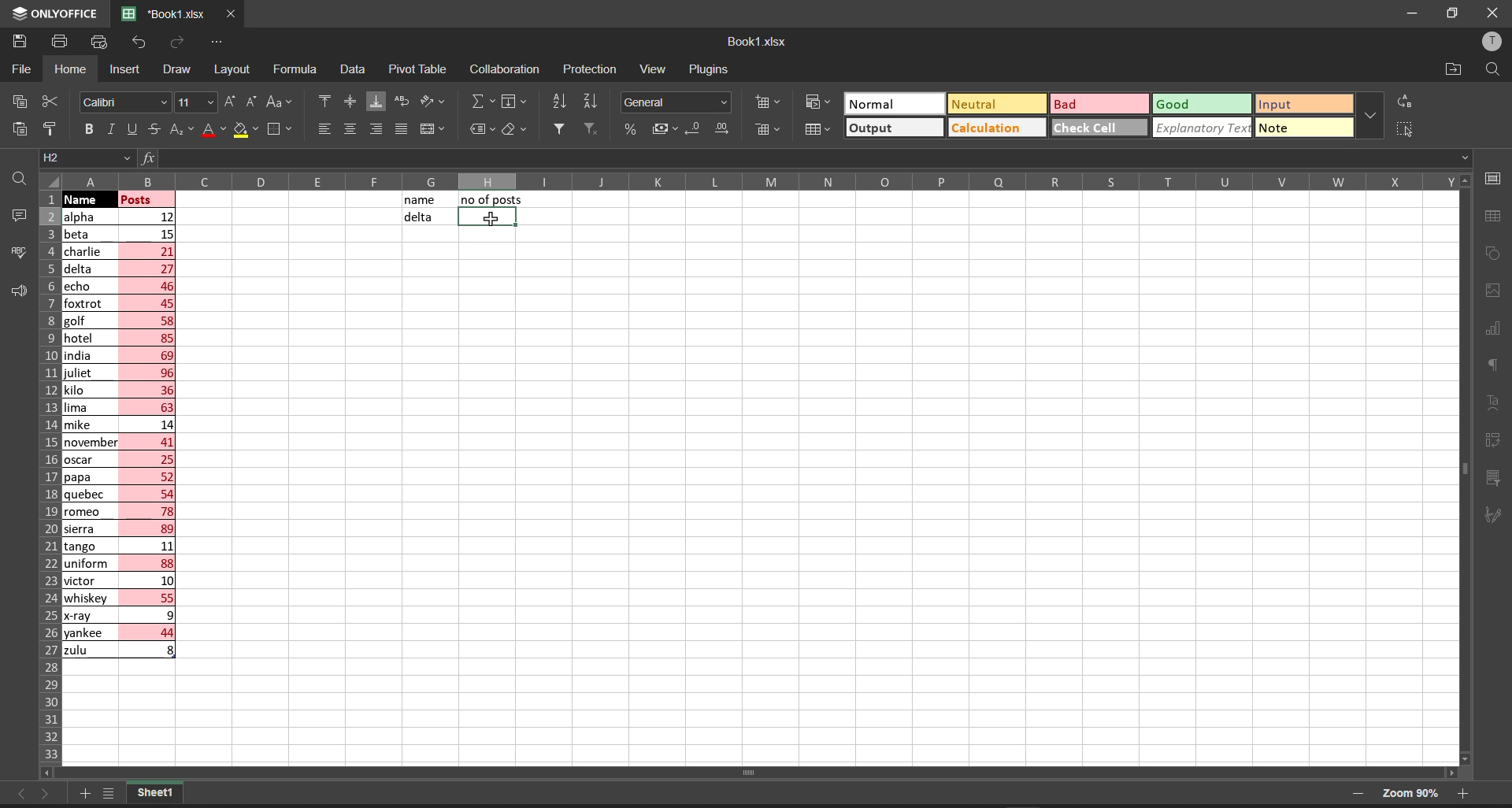 This screenshot has height=808, width=1512. What do you see at coordinates (832, 158) in the screenshot?
I see `formula bar` at bounding box center [832, 158].